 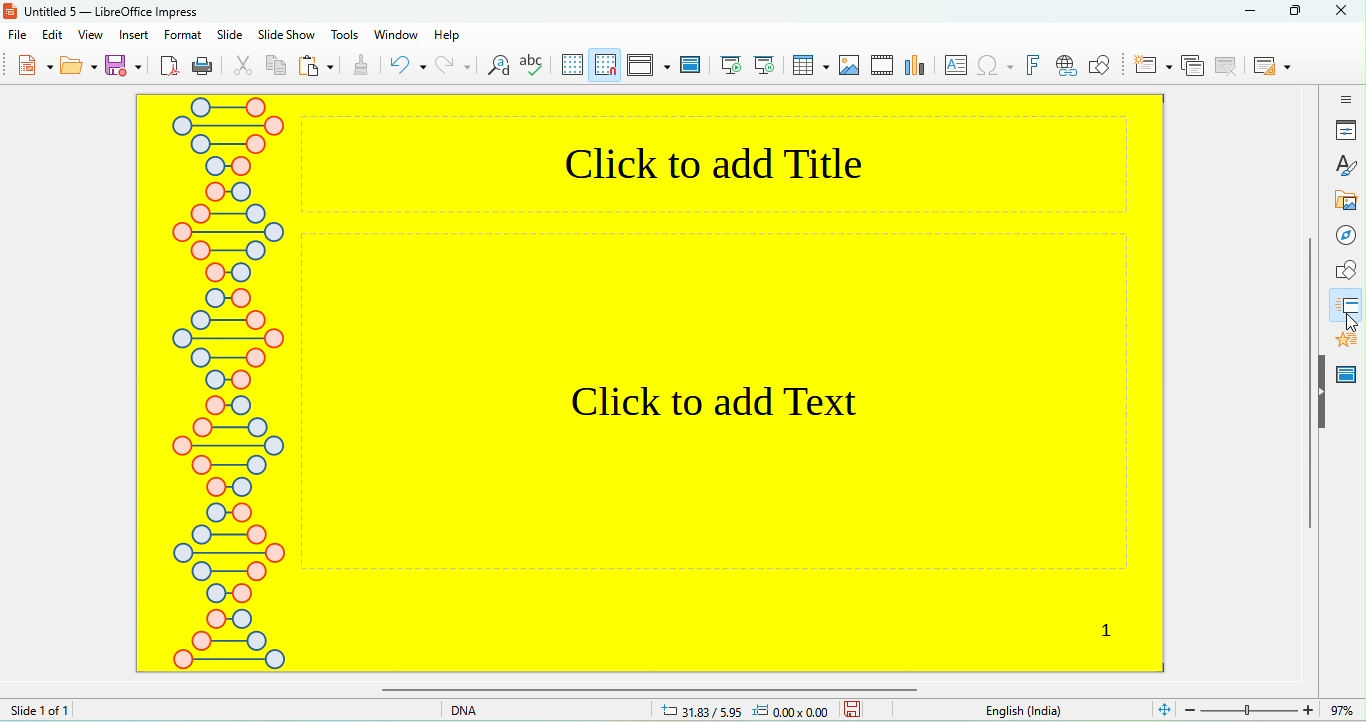 What do you see at coordinates (1343, 194) in the screenshot?
I see `gallery` at bounding box center [1343, 194].